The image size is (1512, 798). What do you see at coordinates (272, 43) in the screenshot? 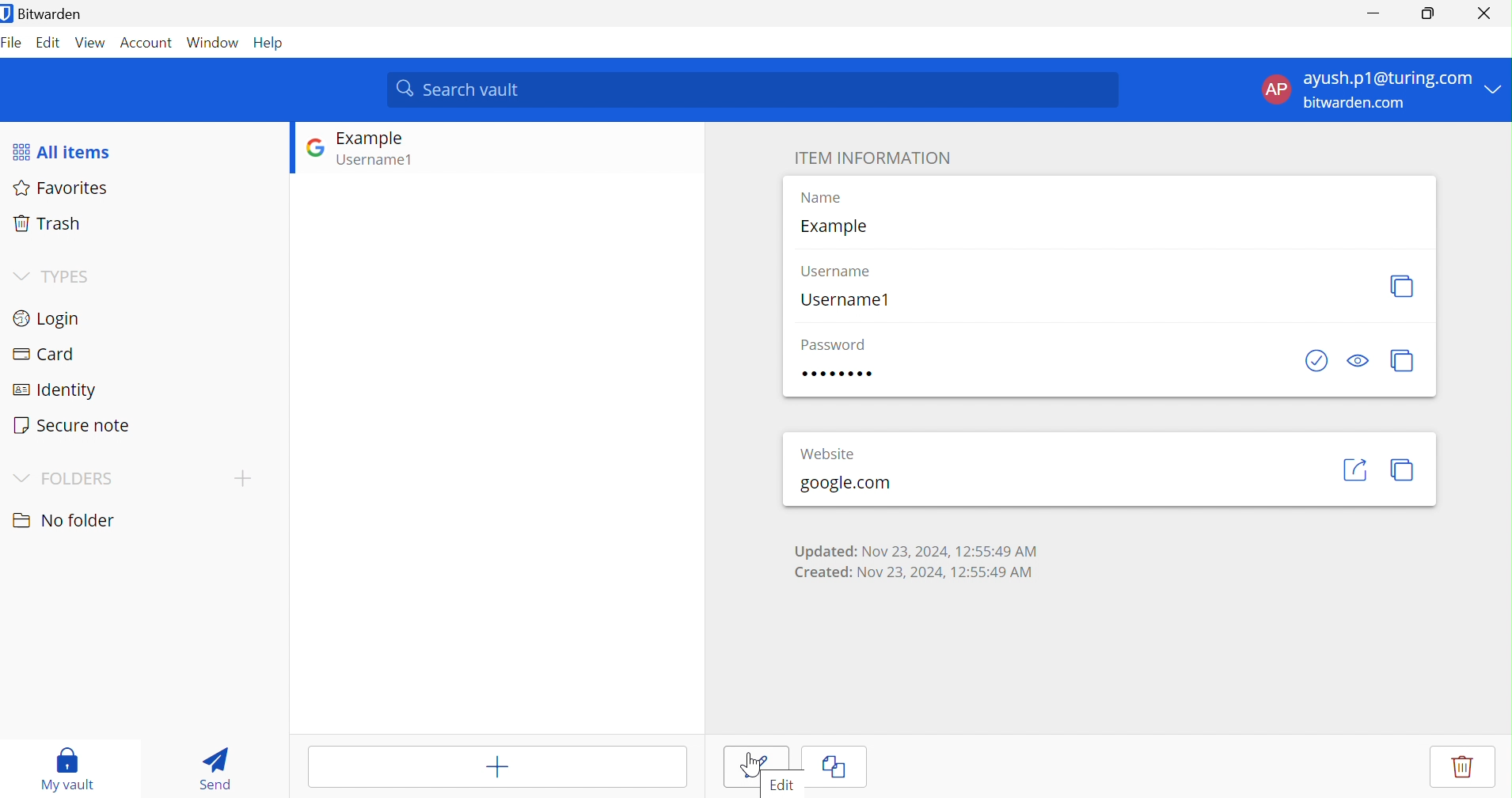
I see `Help` at bounding box center [272, 43].